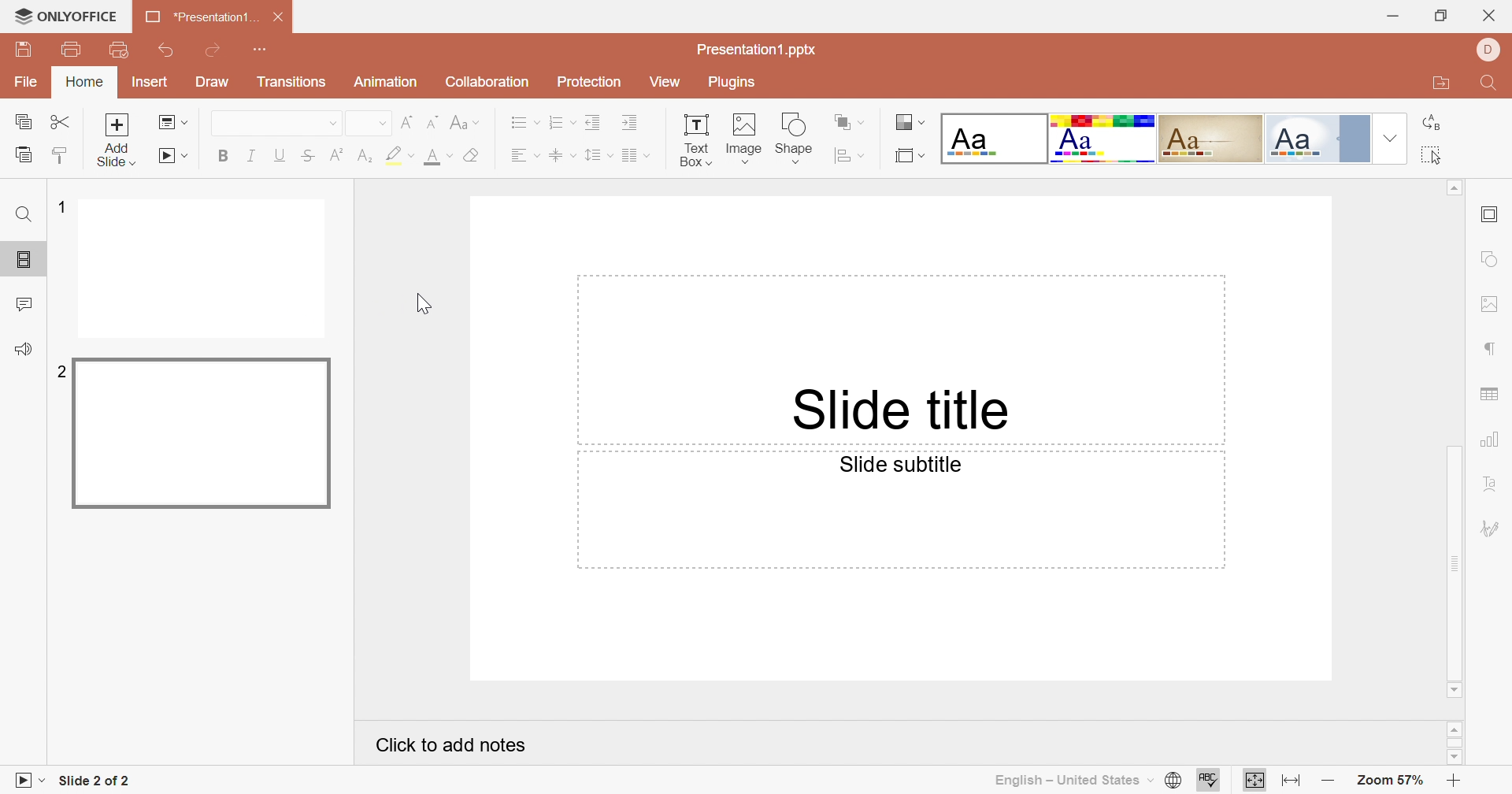 Image resolution: width=1512 pixels, height=794 pixels. I want to click on Drop Down, so click(574, 155).